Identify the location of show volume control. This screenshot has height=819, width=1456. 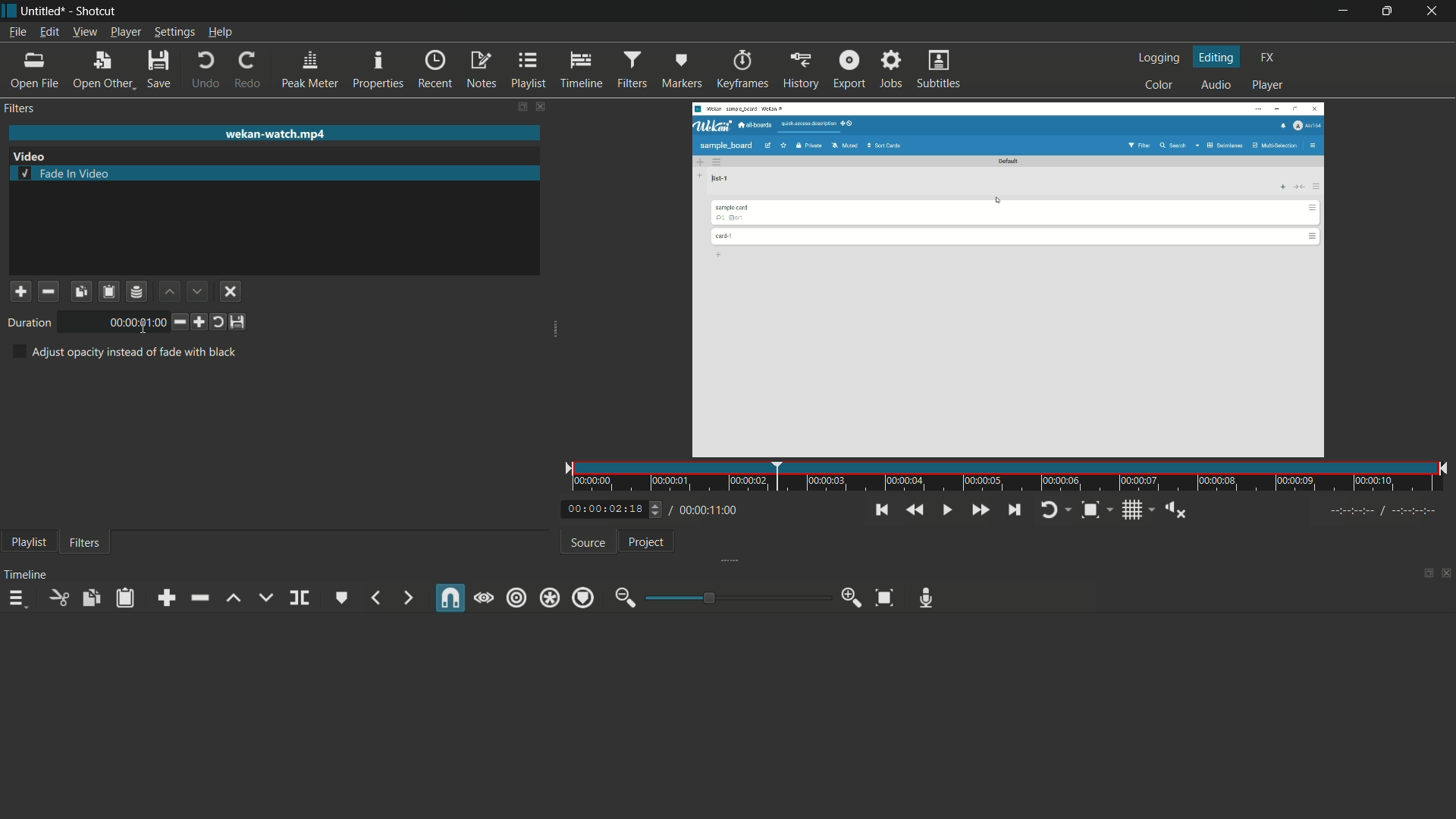
(1177, 511).